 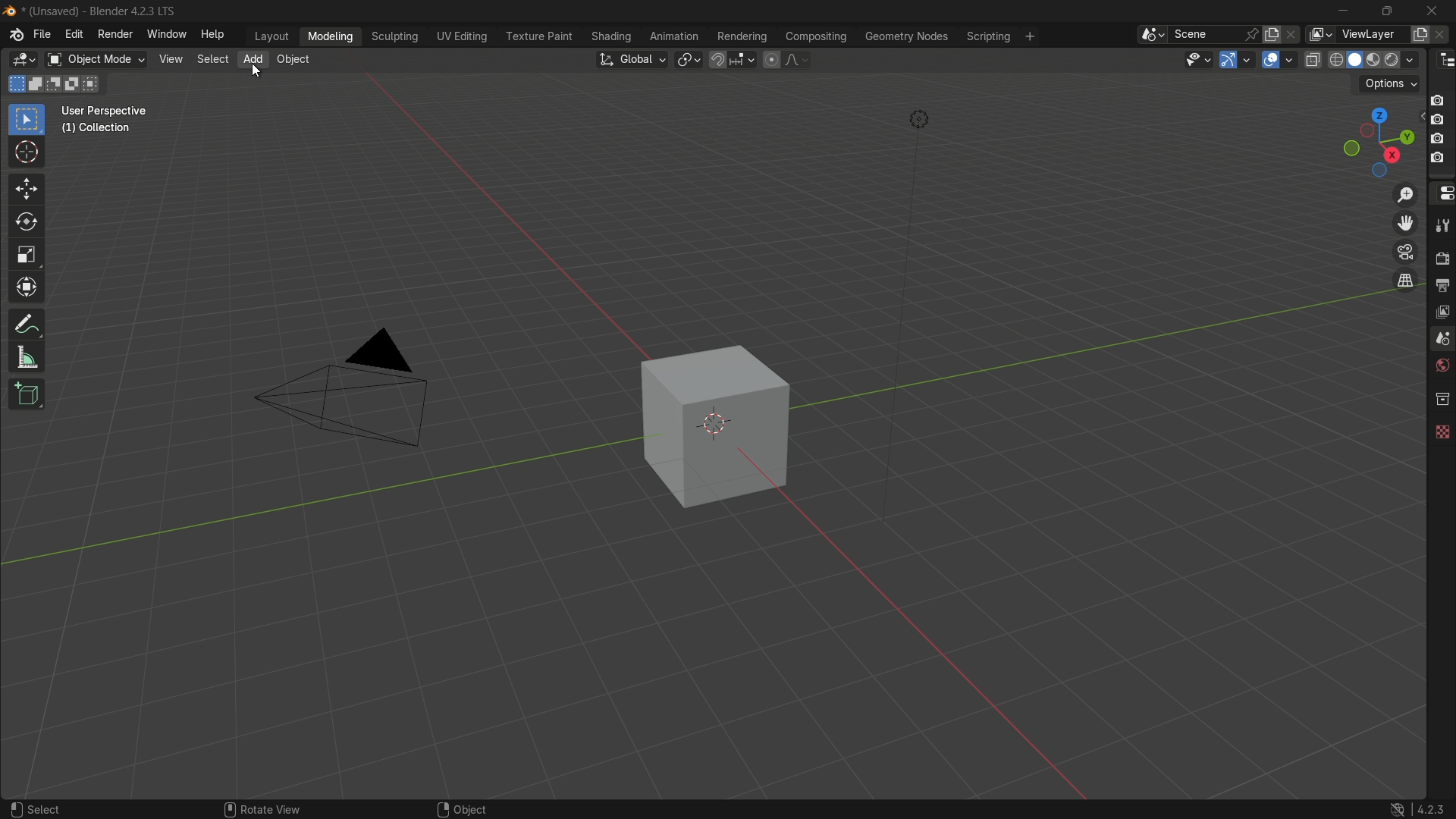 What do you see at coordinates (1441, 256) in the screenshot?
I see `render` at bounding box center [1441, 256].